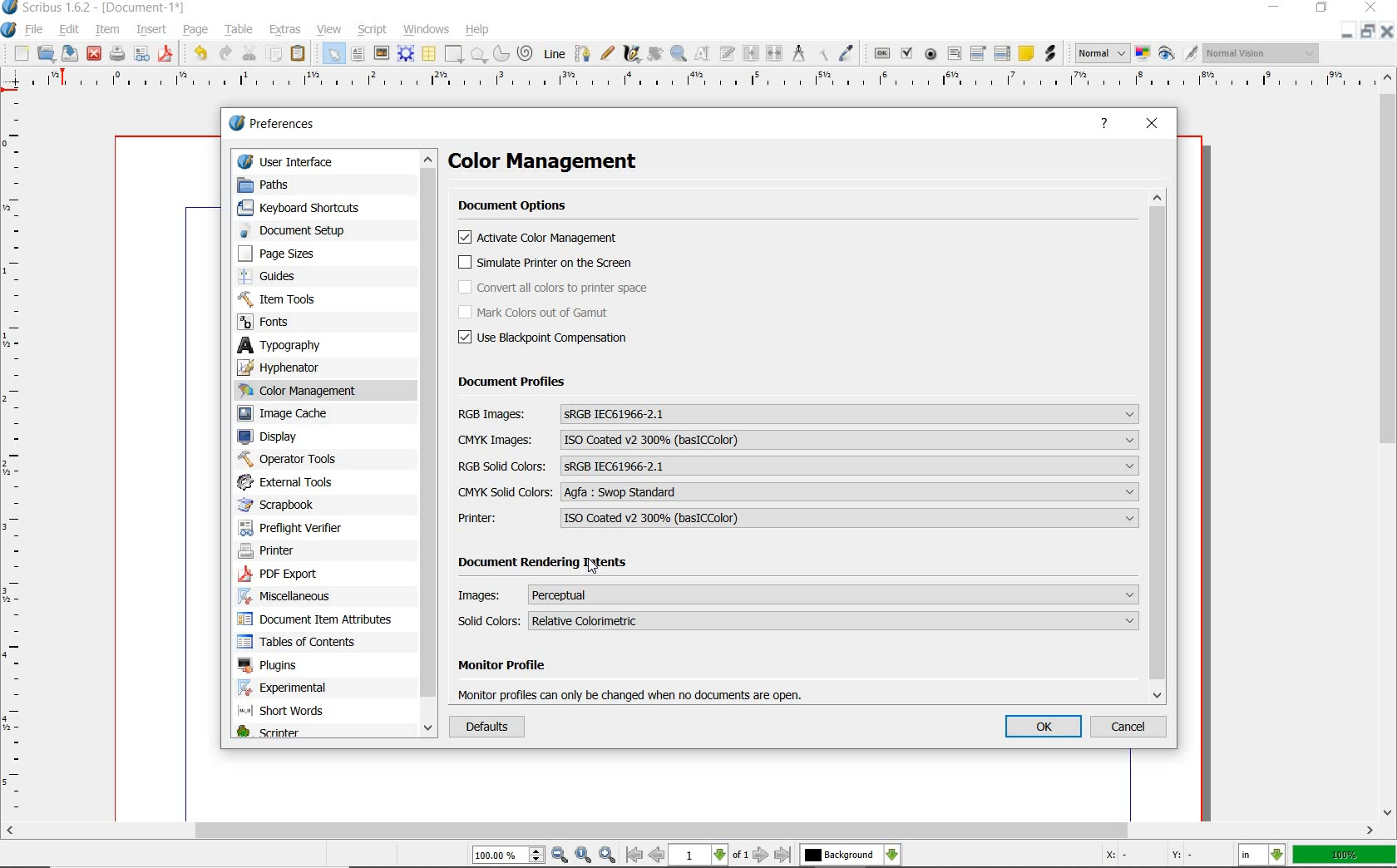 The height and width of the screenshot is (868, 1397). What do you see at coordinates (798, 594) in the screenshot?
I see `Images` at bounding box center [798, 594].